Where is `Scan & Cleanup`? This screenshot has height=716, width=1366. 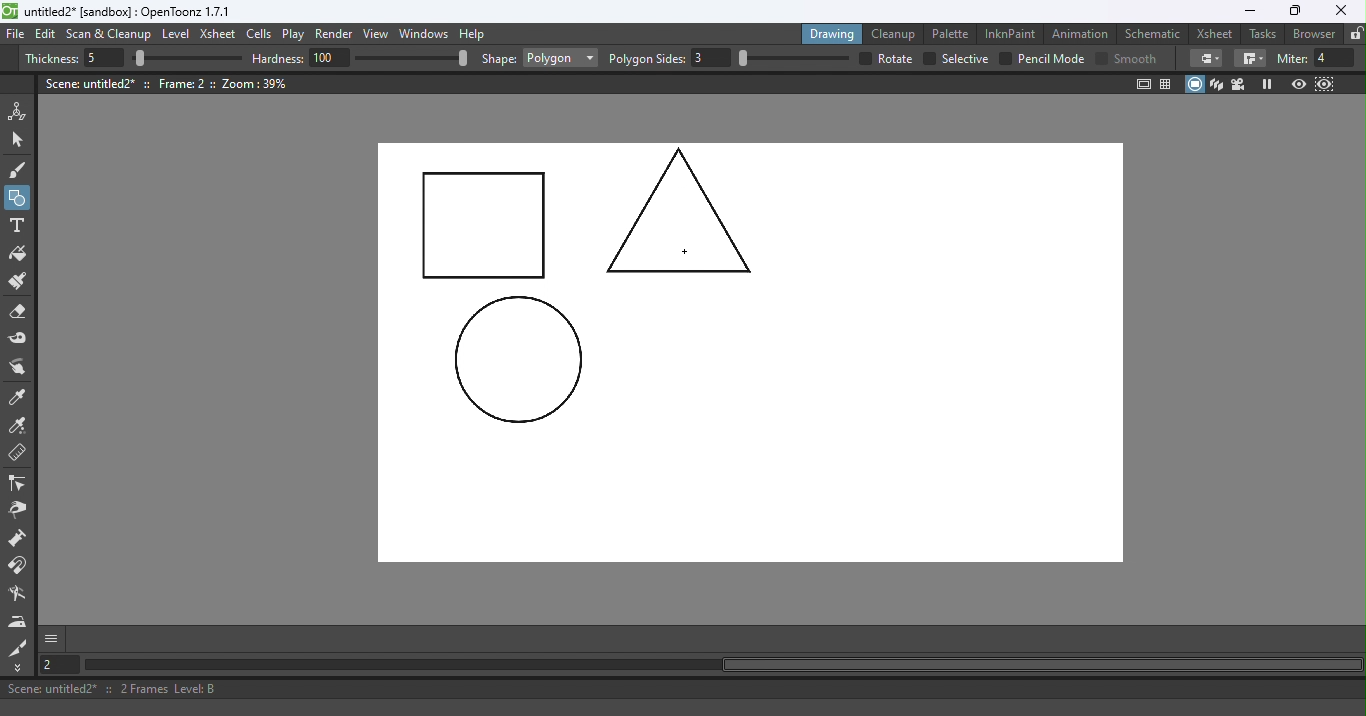
Scan & Cleanup is located at coordinates (109, 36).